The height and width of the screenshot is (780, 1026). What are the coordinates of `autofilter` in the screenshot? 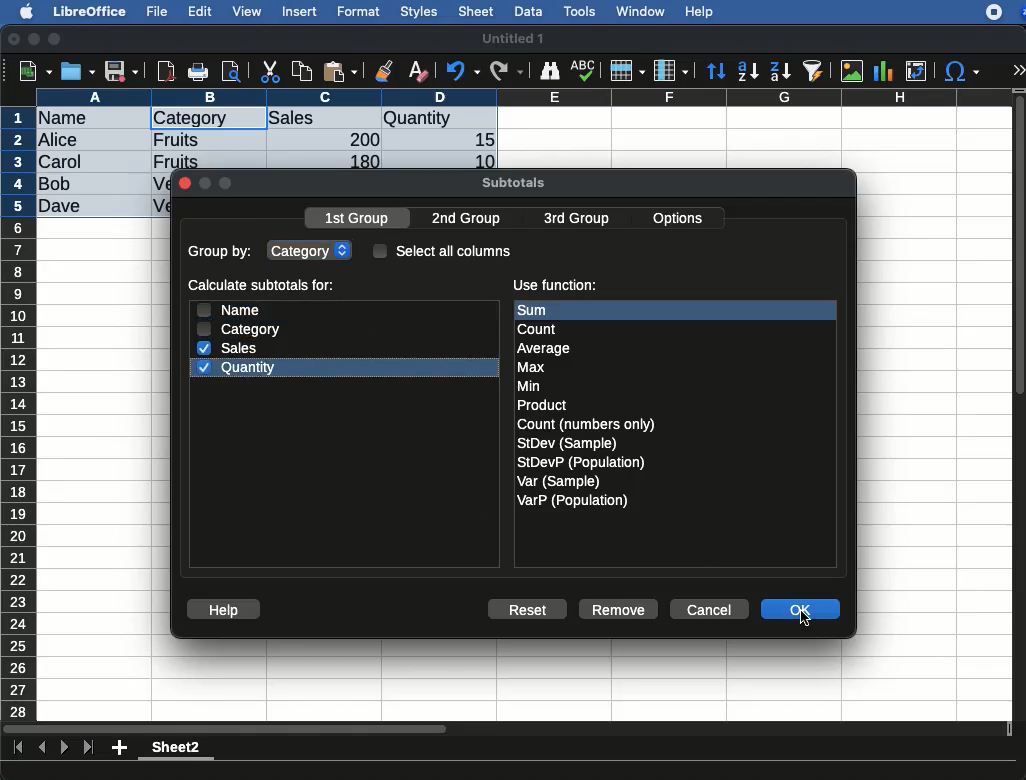 It's located at (814, 70).